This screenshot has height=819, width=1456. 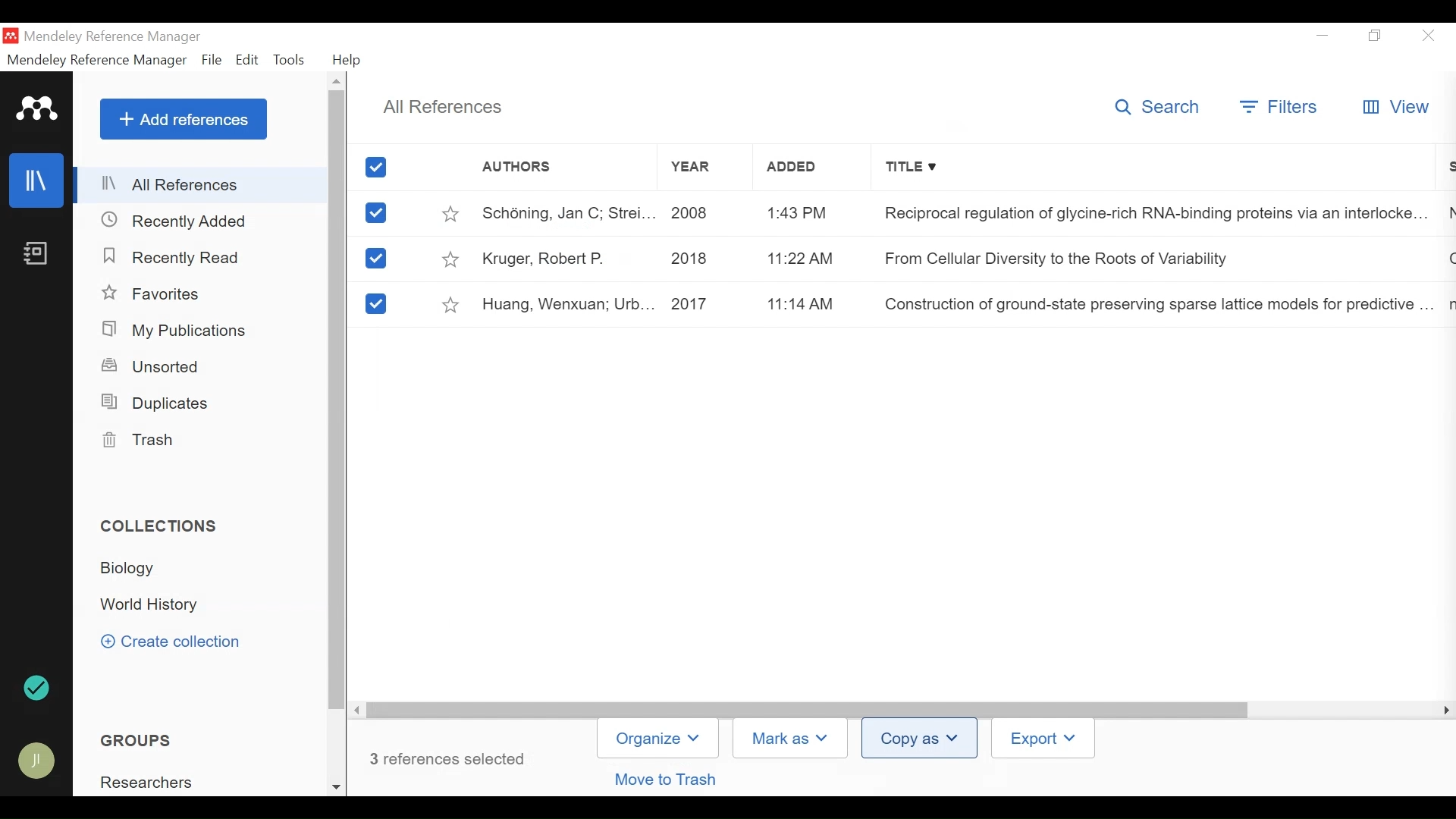 What do you see at coordinates (180, 643) in the screenshot?
I see `Create Collection` at bounding box center [180, 643].